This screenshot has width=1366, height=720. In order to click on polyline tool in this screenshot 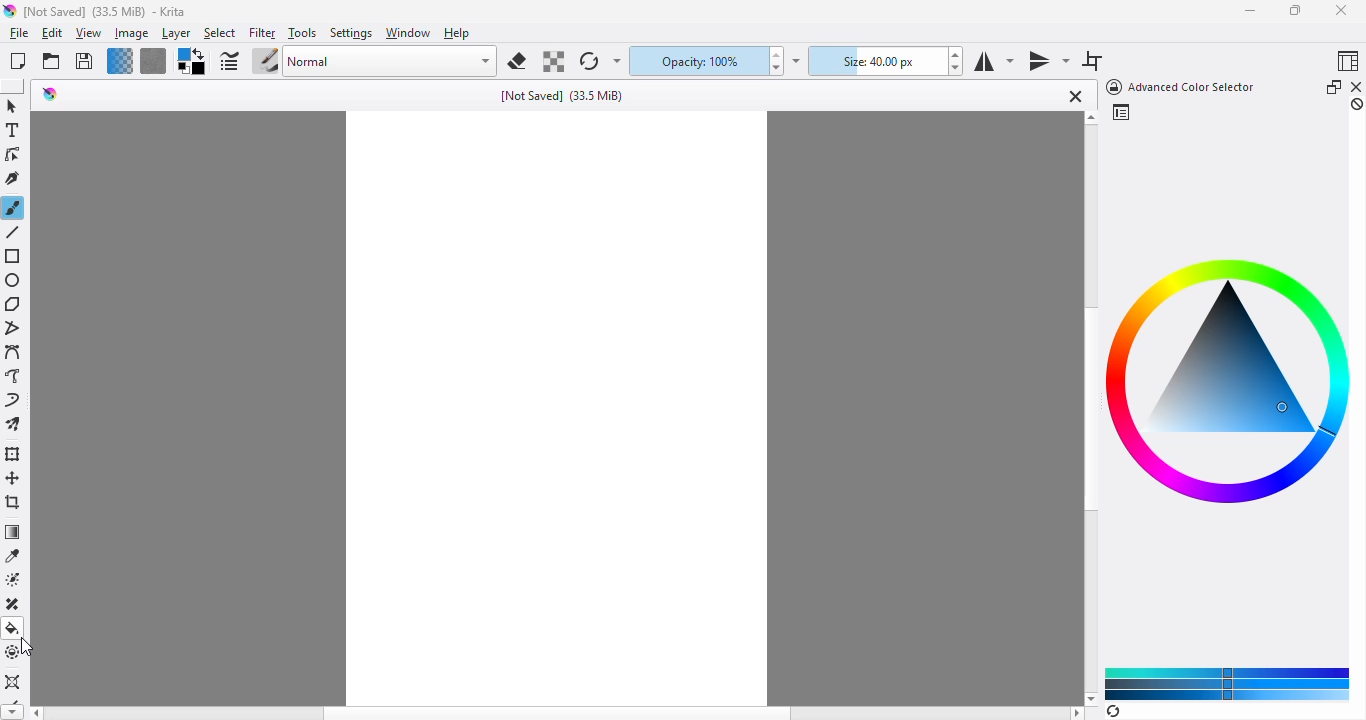, I will do `click(15, 328)`.